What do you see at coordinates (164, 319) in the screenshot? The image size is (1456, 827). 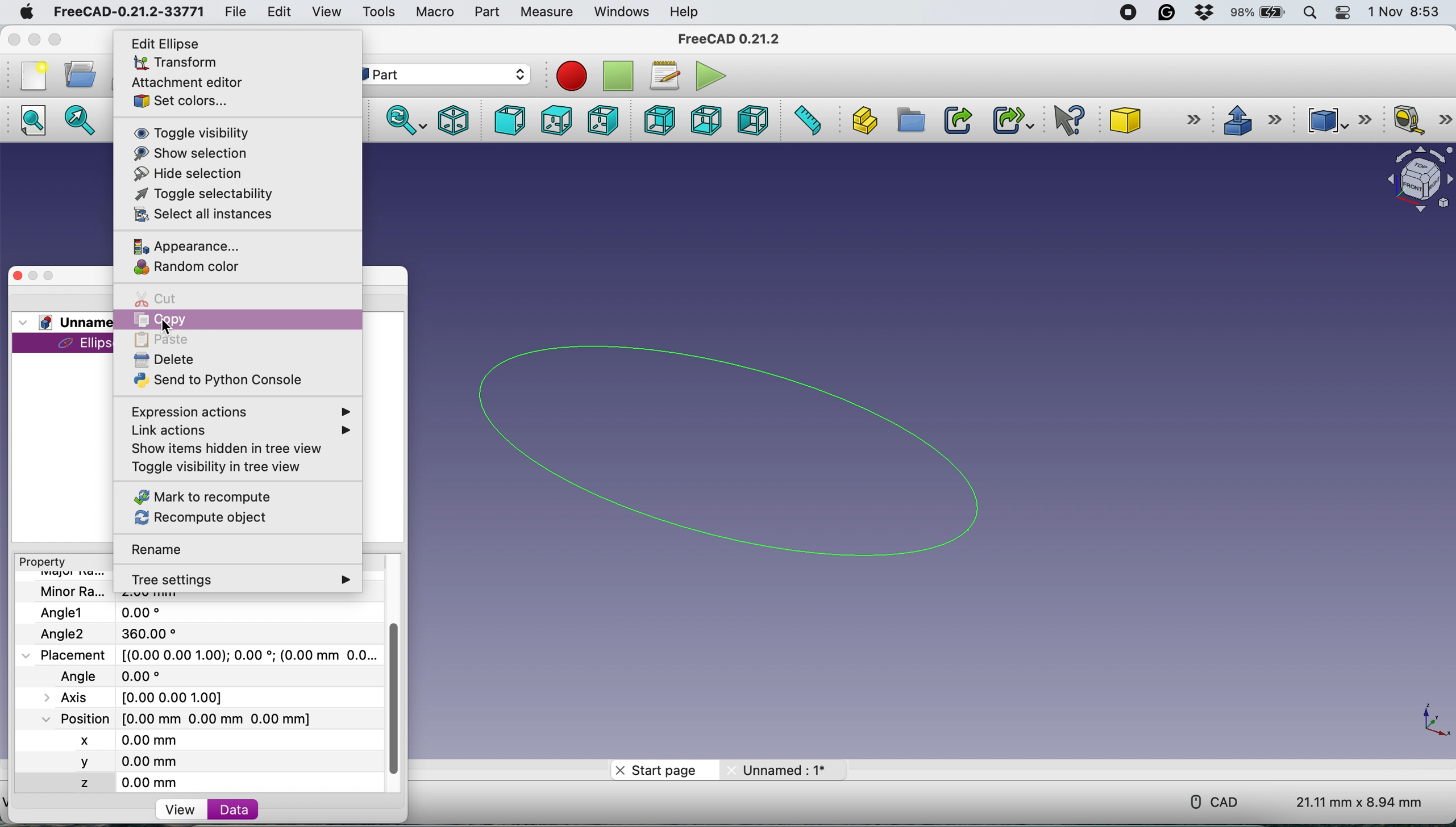 I see `copy` at bounding box center [164, 319].